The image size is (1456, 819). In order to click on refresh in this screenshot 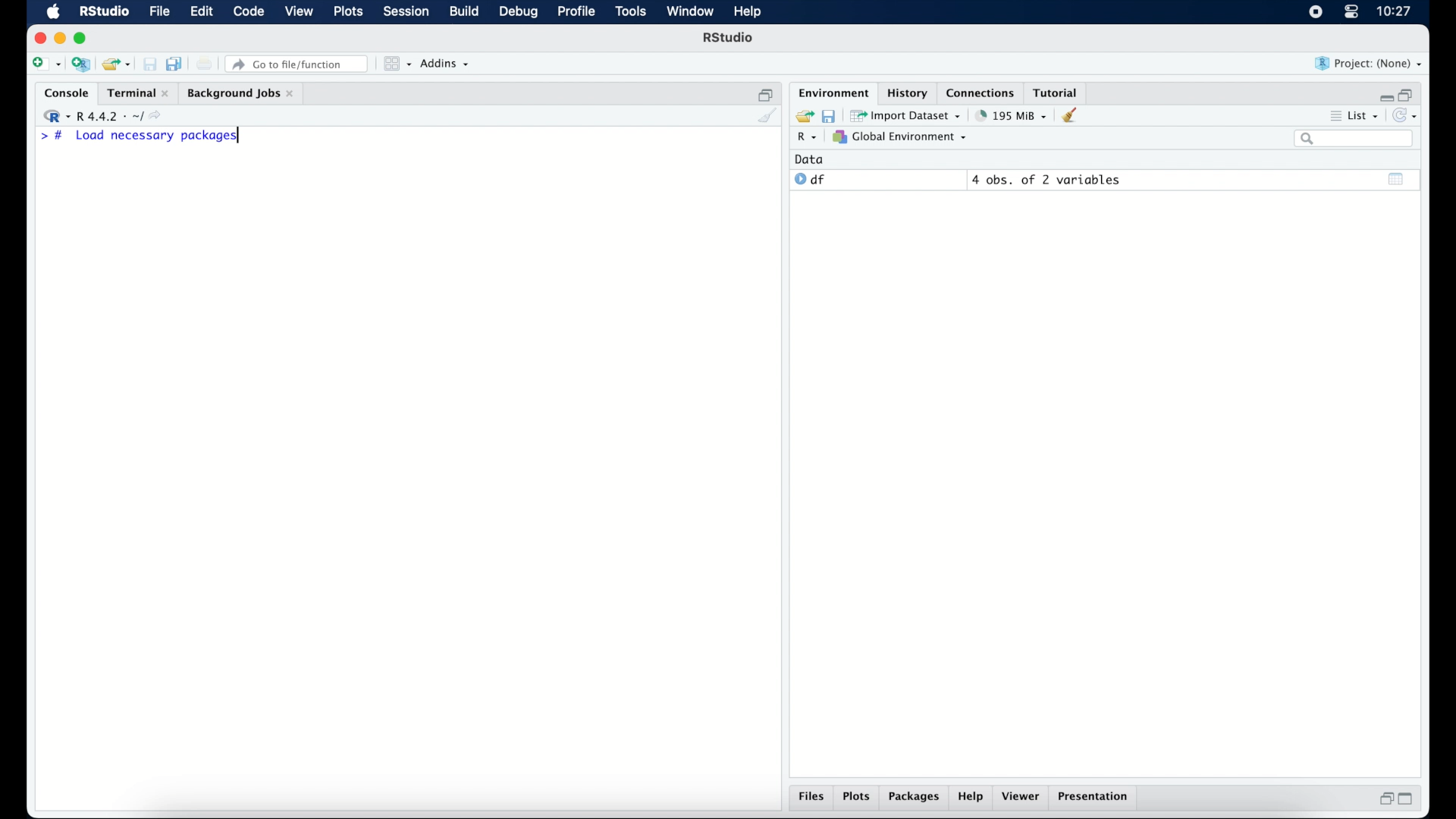, I will do `click(1407, 117)`.